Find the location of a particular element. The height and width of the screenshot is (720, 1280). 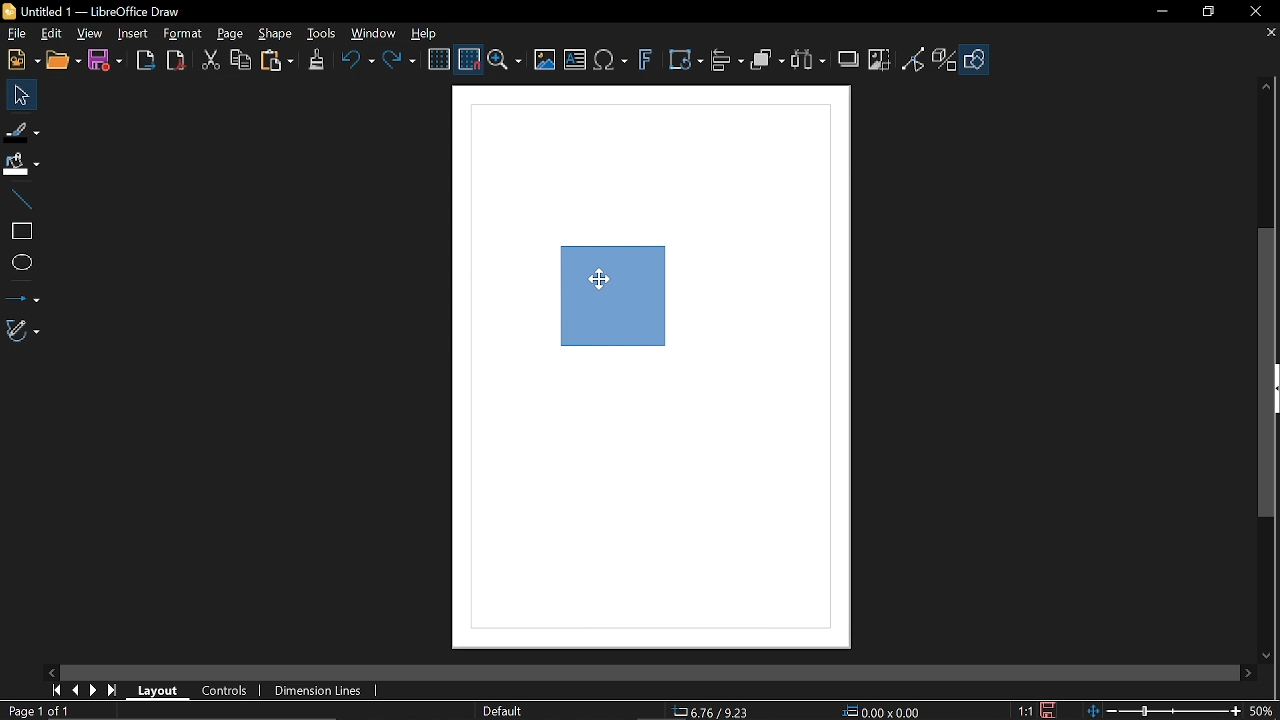

Slide master name is located at coordinates (503, 709).